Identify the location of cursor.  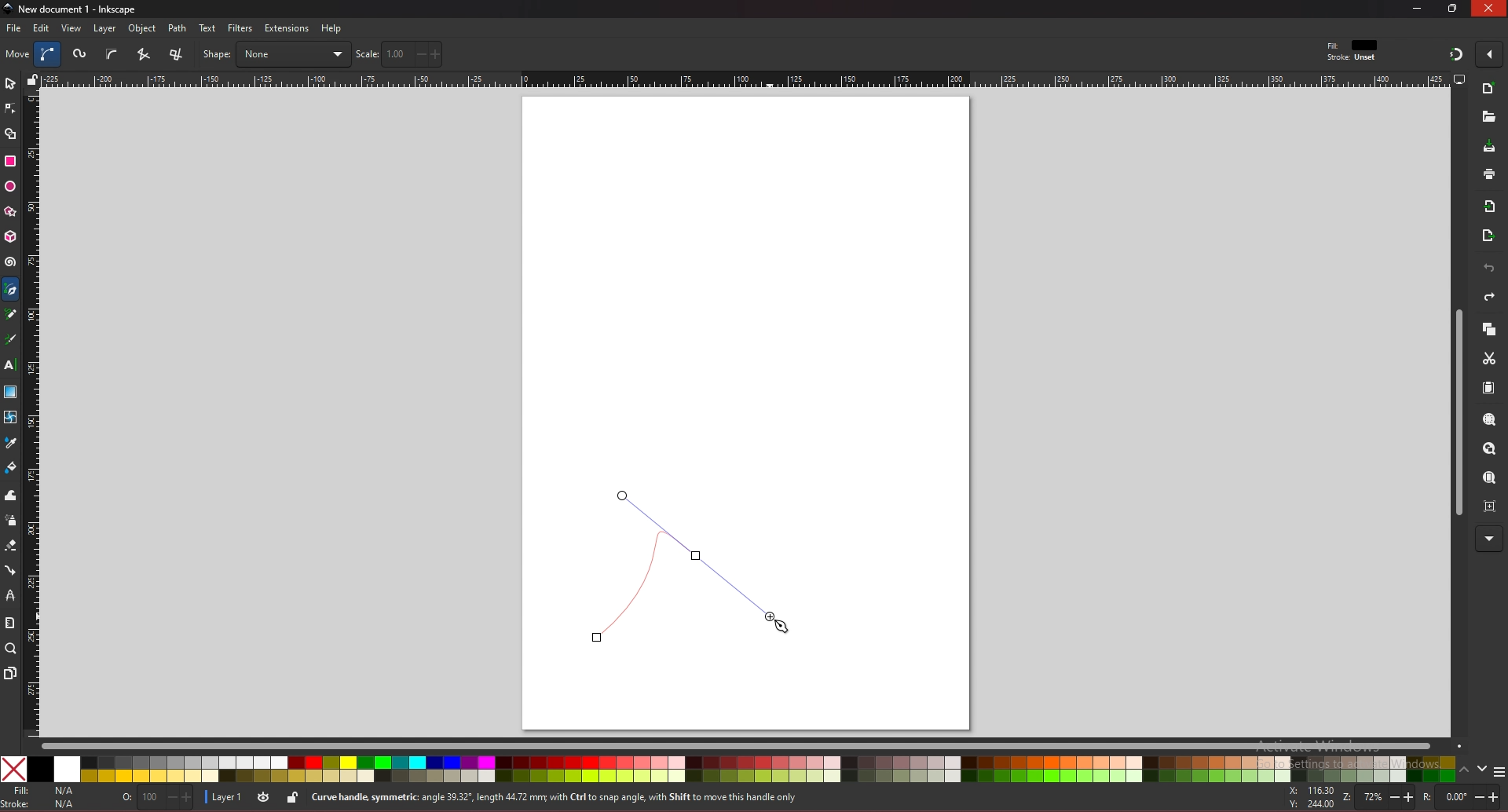
(785, 627).